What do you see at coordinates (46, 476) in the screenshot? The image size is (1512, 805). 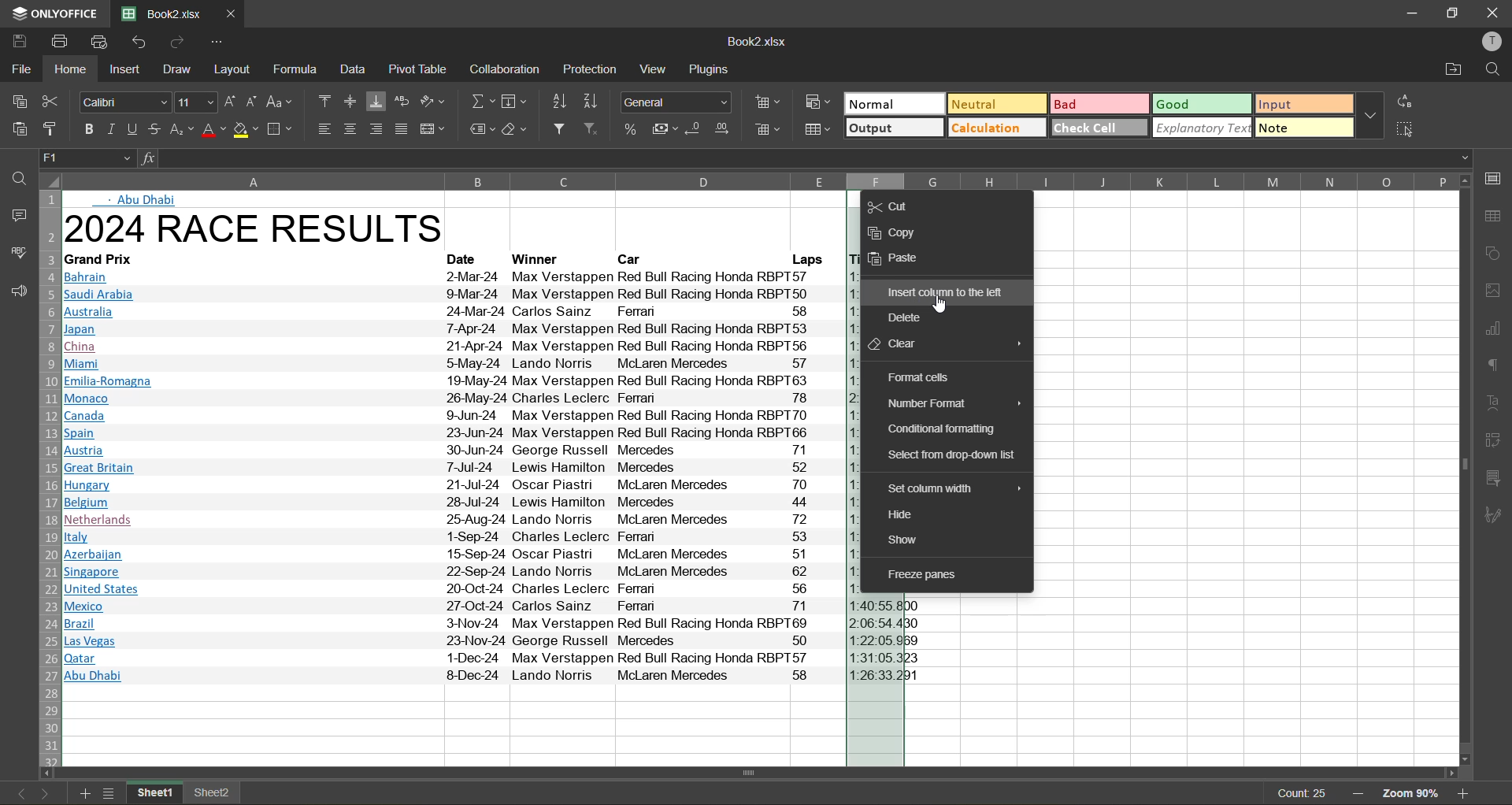 I see `row numbers` at bounding box center [46, 476].